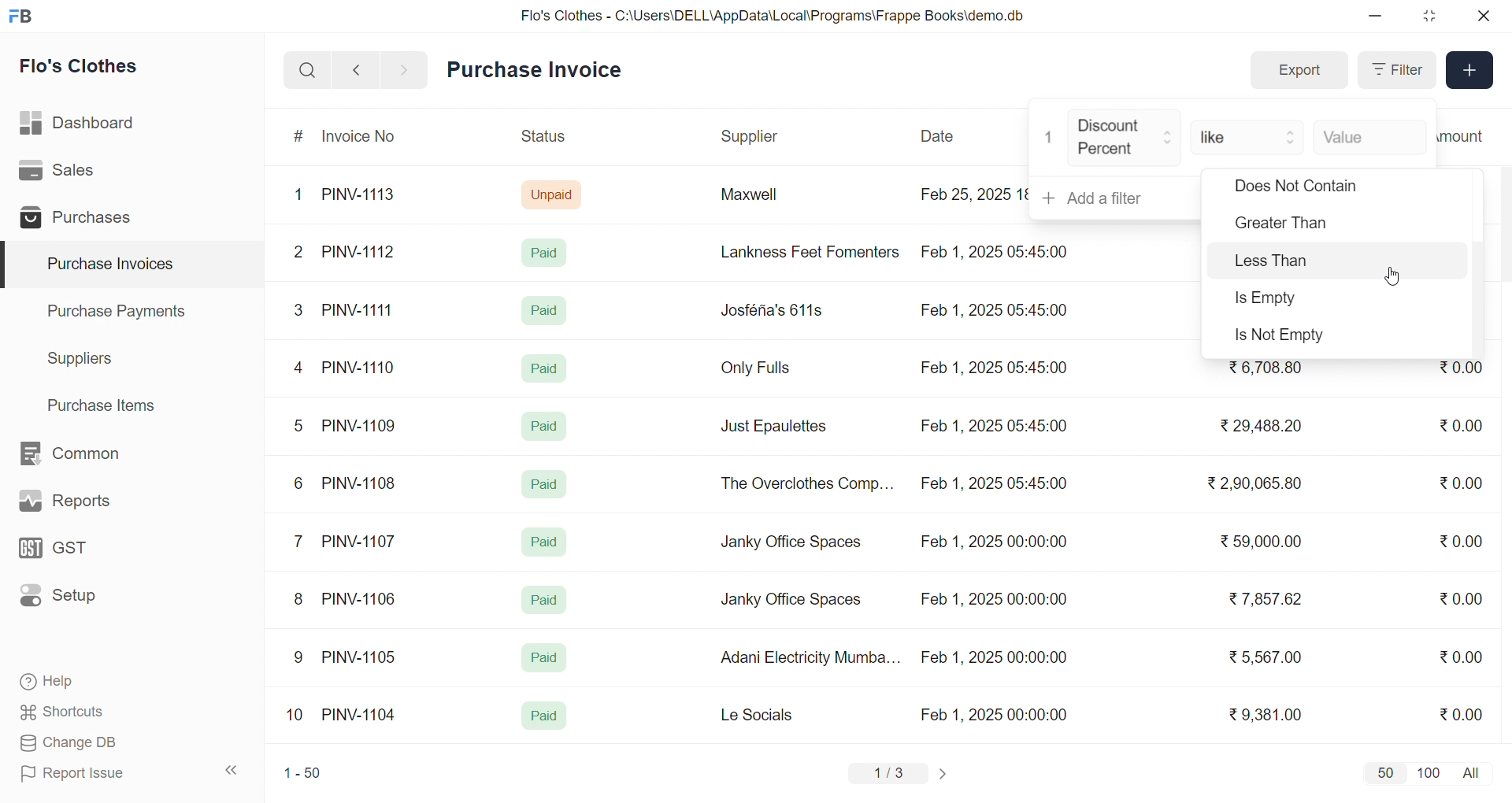  What do you see at coordinates (9, 265) in the screenshot?
I see `selected` at bounding box center [9, 265].